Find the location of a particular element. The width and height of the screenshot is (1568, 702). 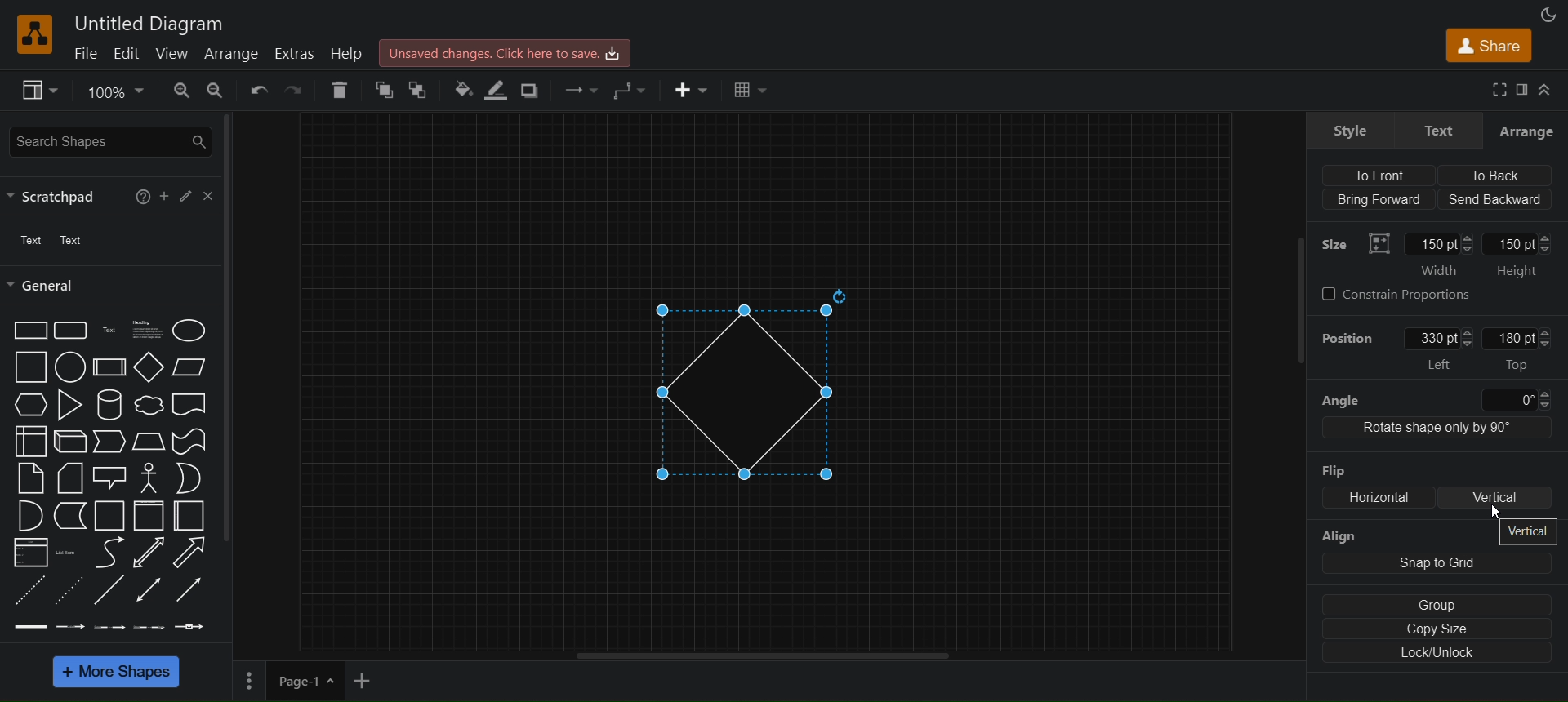

directional connector is located at coordinates (190, 590).